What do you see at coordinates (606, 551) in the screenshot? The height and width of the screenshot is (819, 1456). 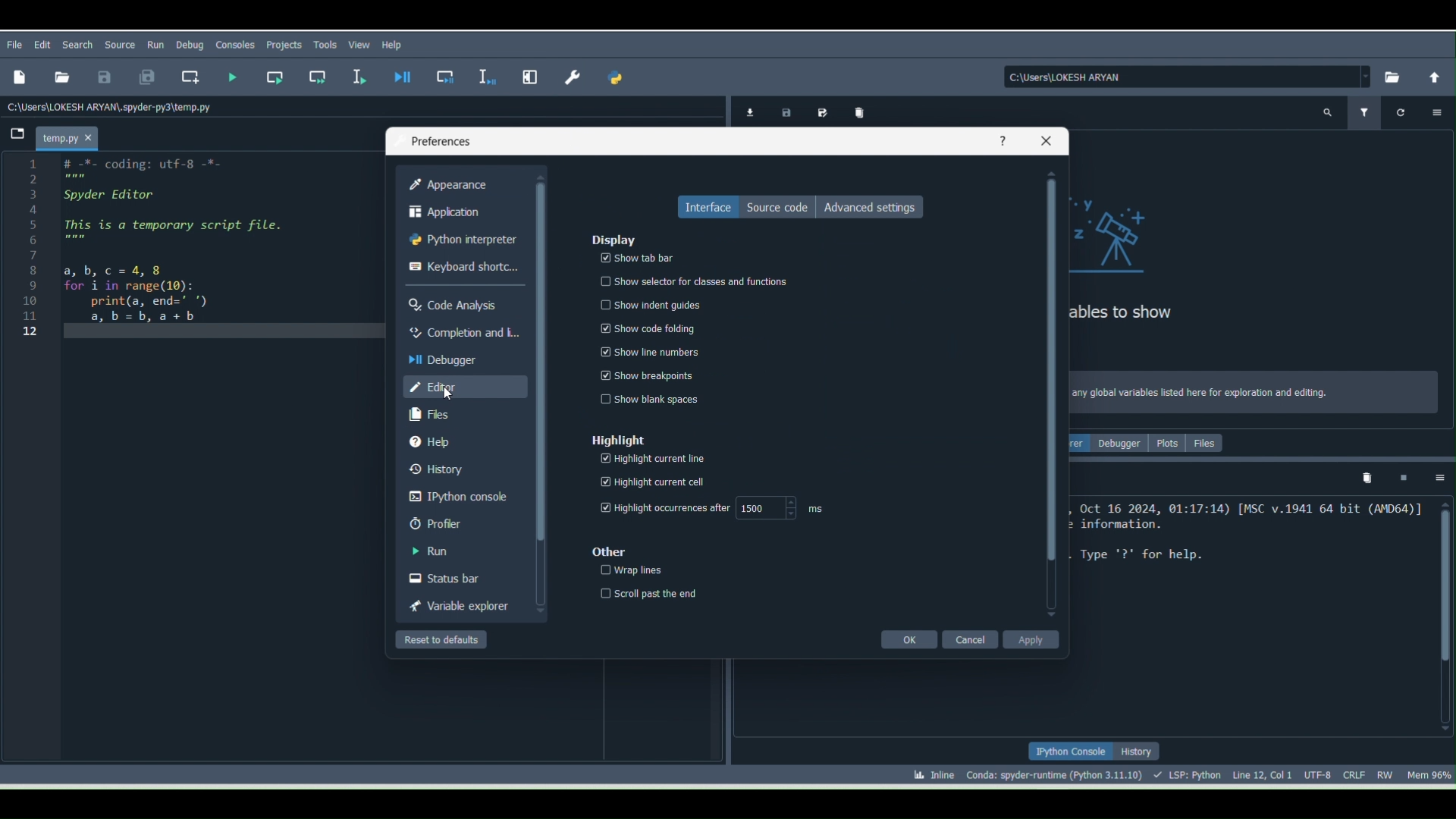 I see `Other` at bounding box center [606, 551].